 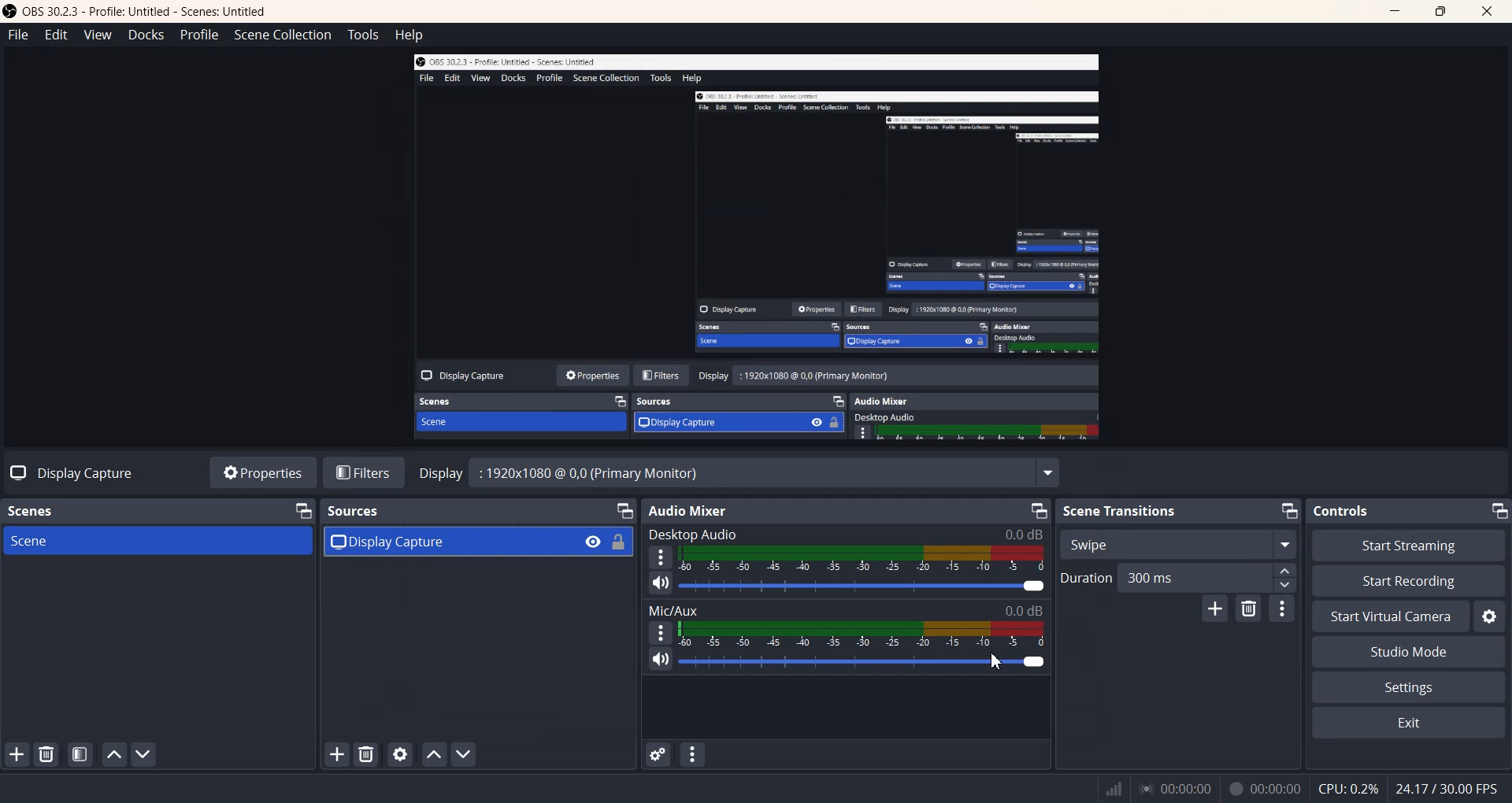 I want to click on Audio Mixer, so click(x=687, y=510).